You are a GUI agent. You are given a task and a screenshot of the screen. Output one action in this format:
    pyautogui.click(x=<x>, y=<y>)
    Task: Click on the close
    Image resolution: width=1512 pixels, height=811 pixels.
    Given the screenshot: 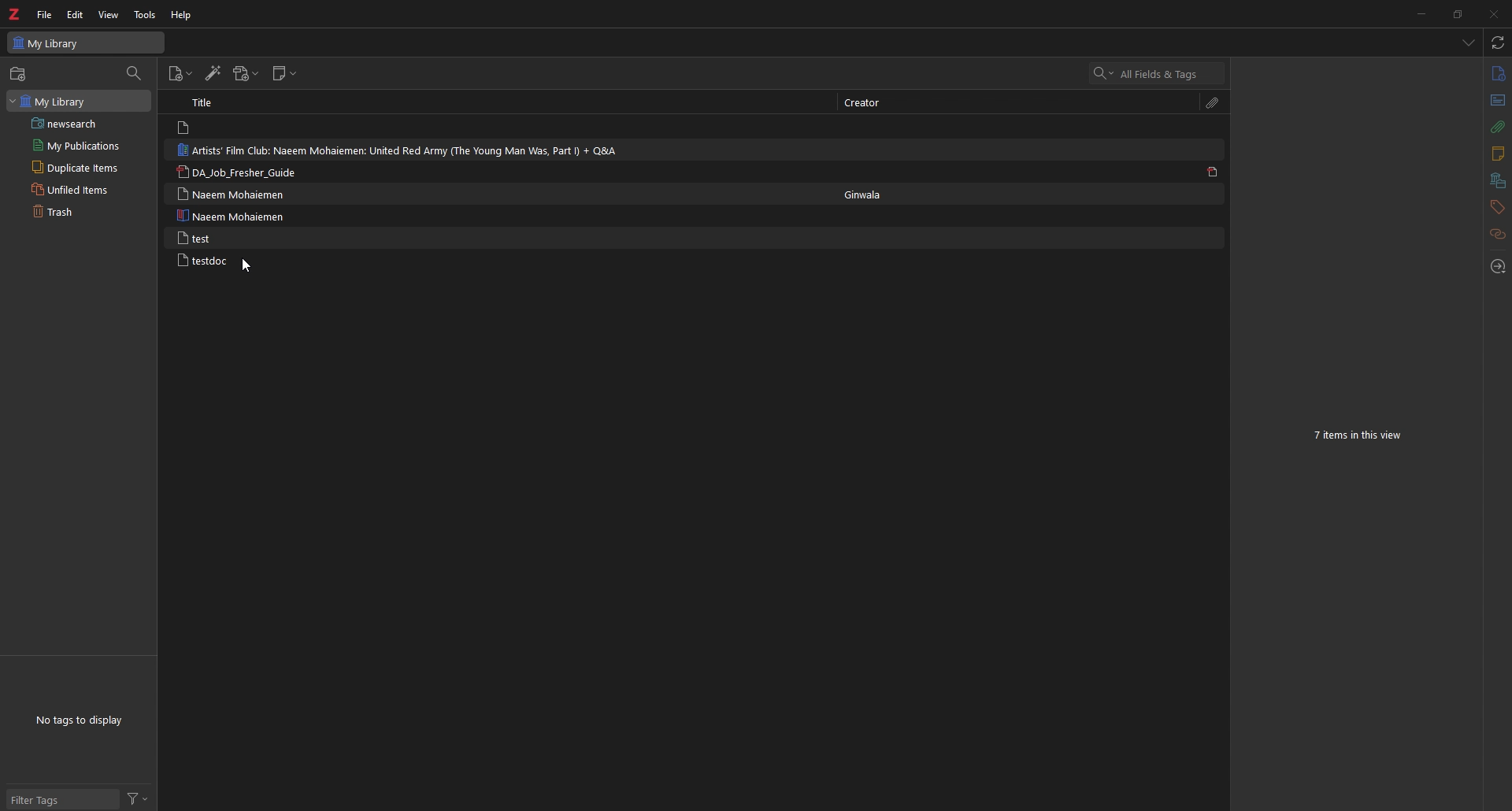 What is the action you would take?
    pyautogui.click(x=1492, y=13)
    